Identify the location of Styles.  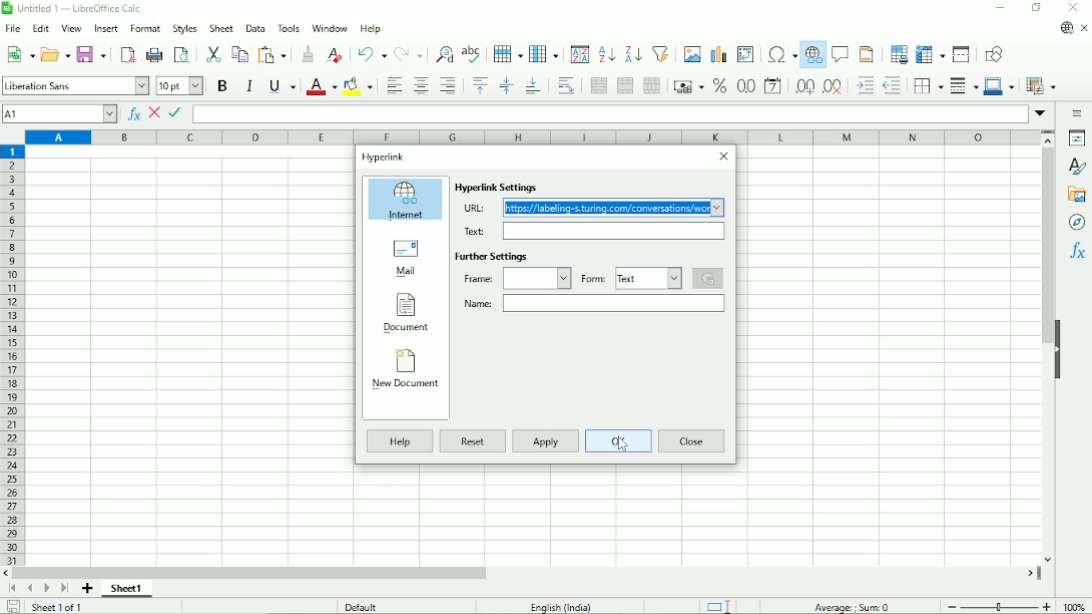
(1077, 166).